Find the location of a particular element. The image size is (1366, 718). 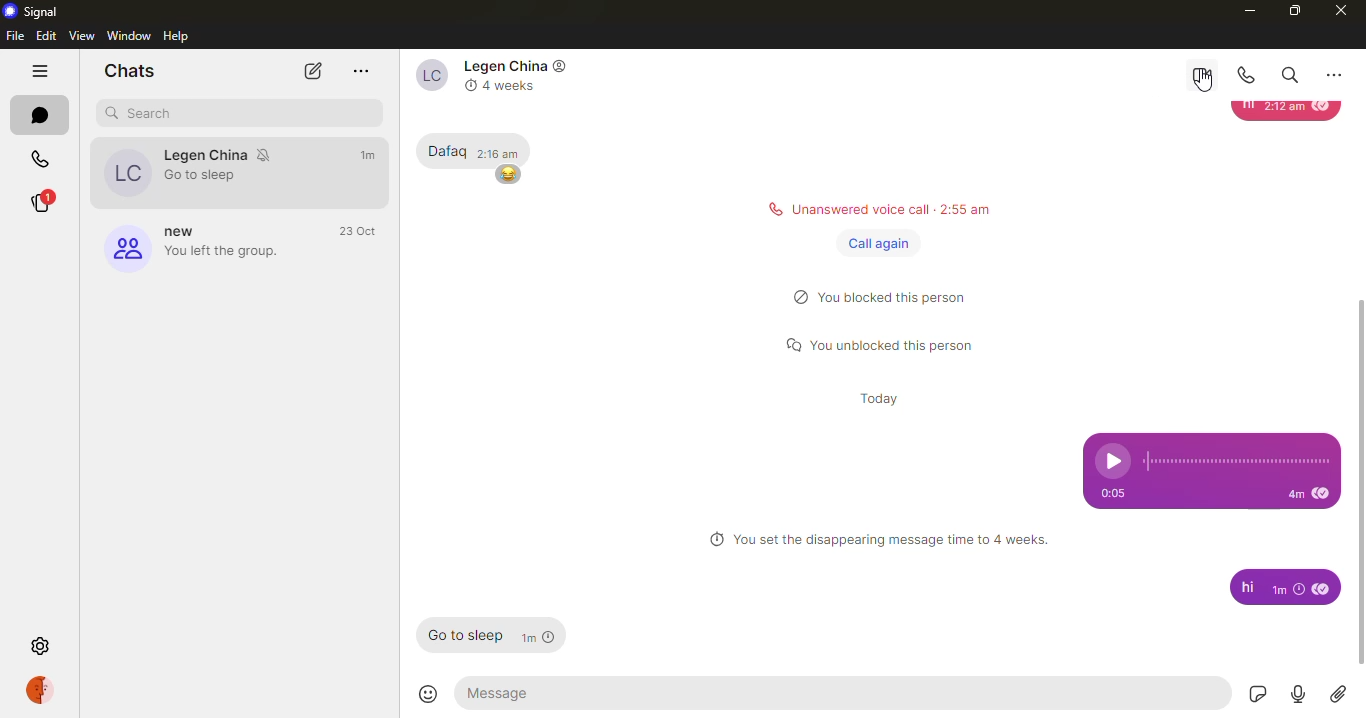

edit is located at coordinates (46, 35).